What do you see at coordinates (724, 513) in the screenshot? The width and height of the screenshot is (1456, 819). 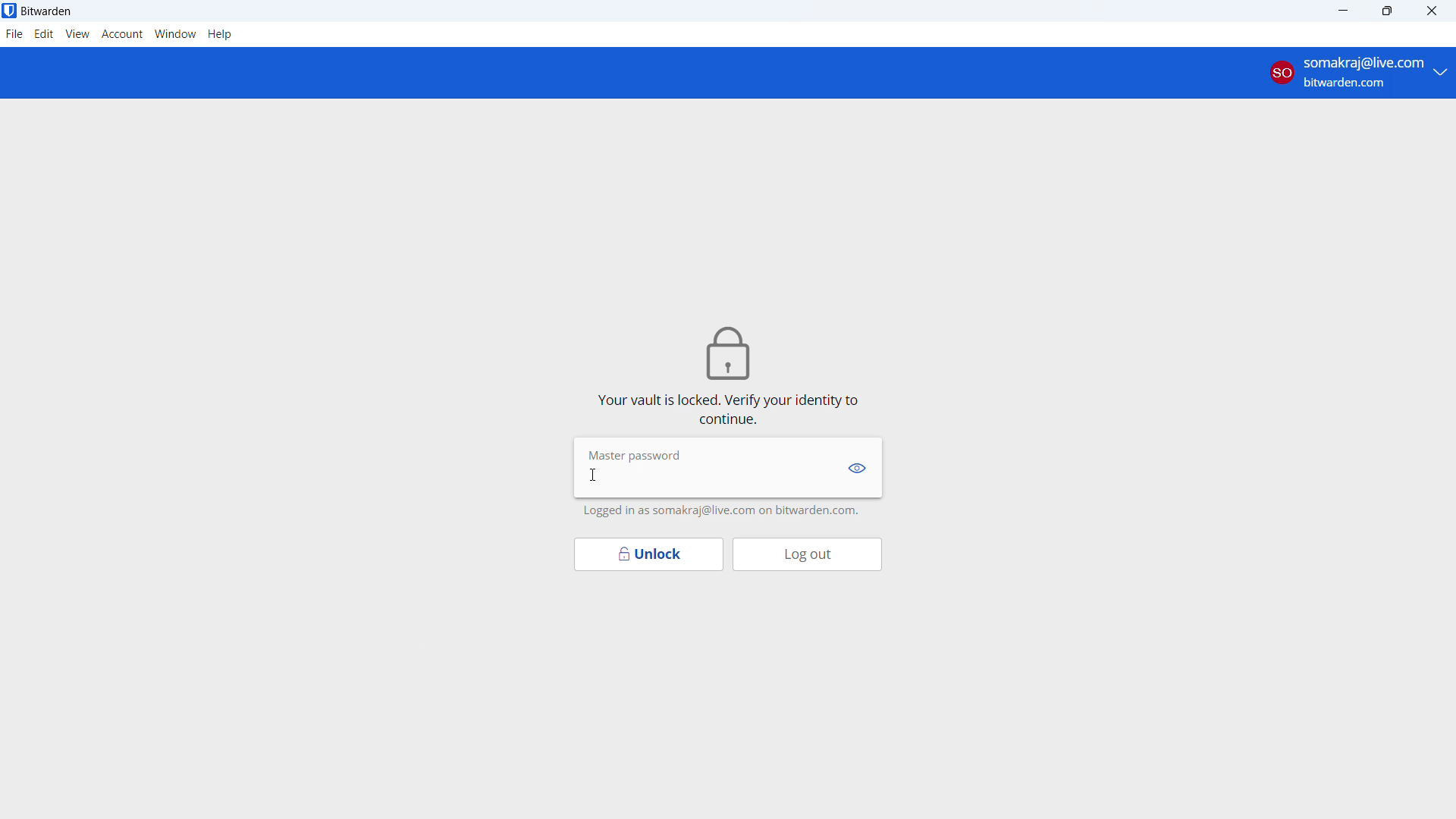 I see `logged in as somakraj@live.com on bitwarden.com.` at bounding box center [724, 513].